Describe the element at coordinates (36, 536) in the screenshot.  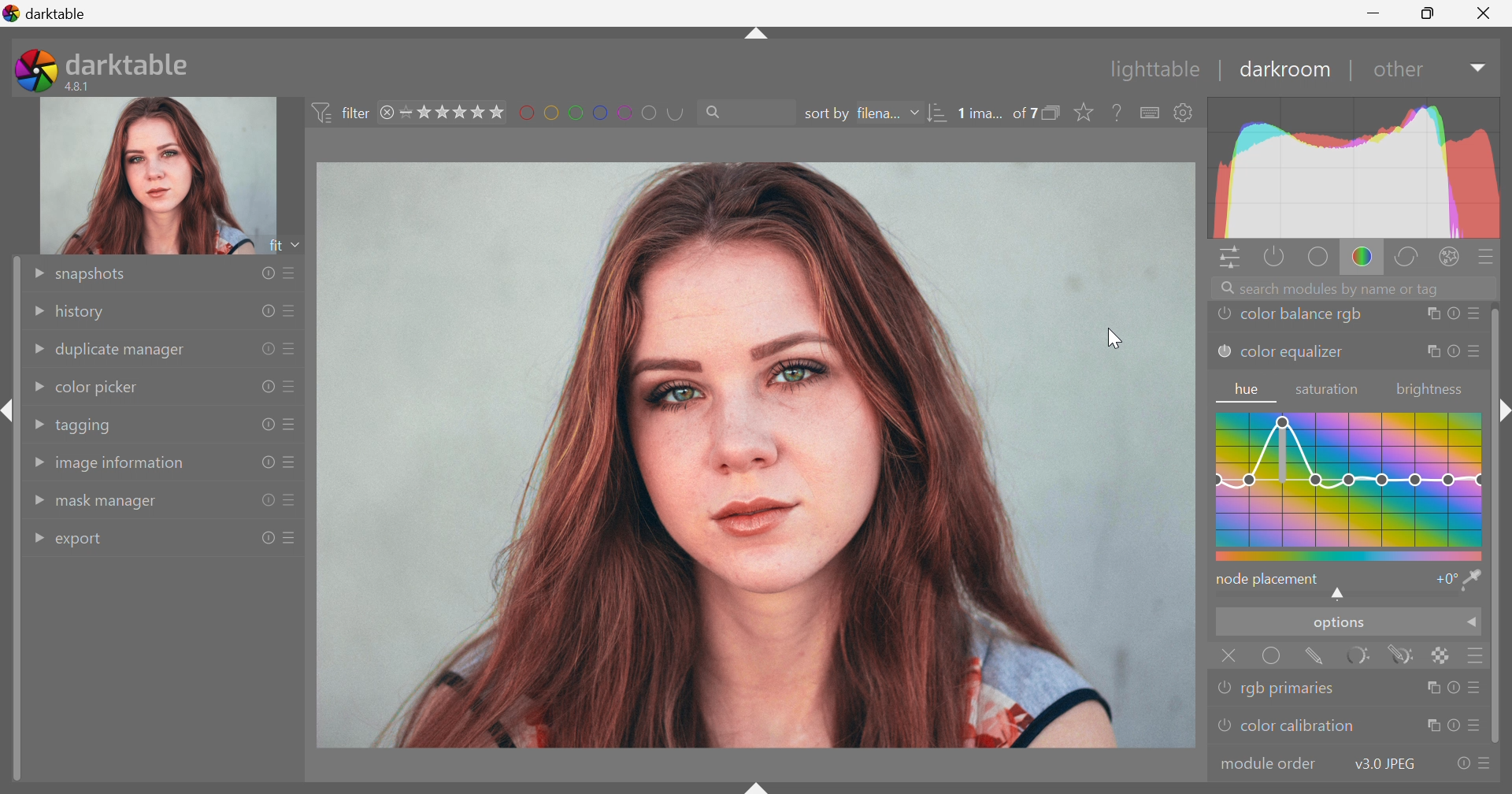
I see `Drop Down` at that location.